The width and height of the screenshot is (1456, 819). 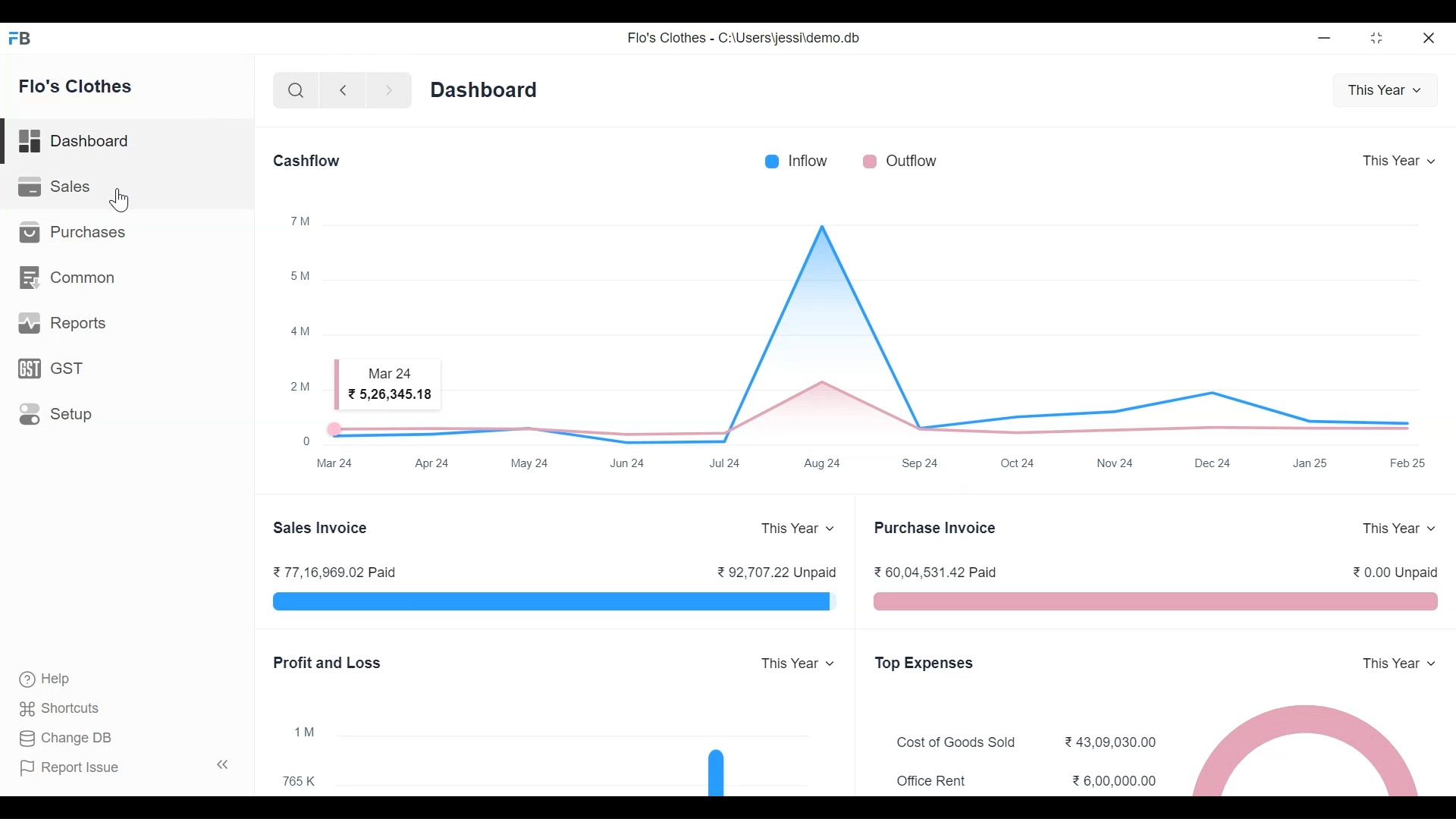 What do you see at coordinates (1401, 160) in the screenshot?
I see `This Year v` at bounding box center [1401, 160].